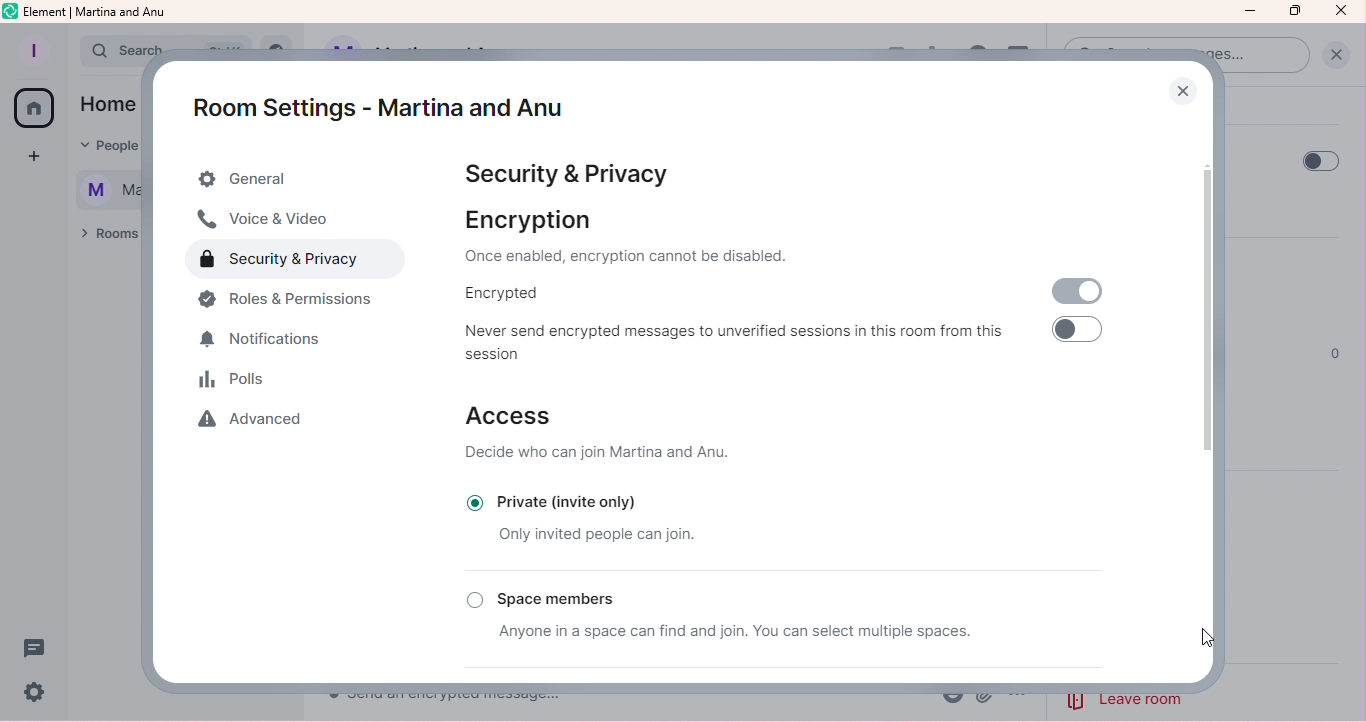 This screenshot has height=722, width=1366. Describe the element at coordinates (669, 238) in the screenshot. I see `Encryption` at that location.